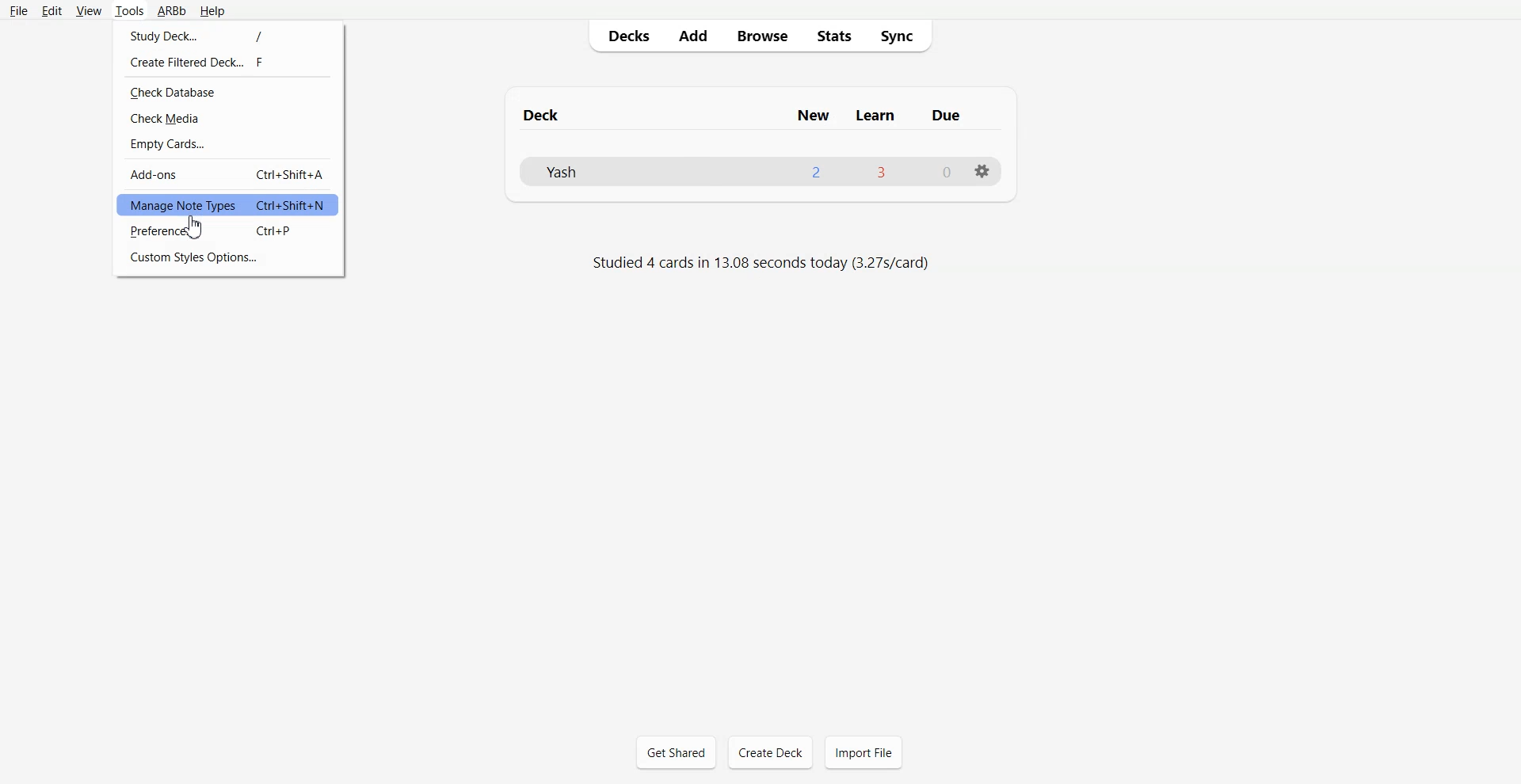  What do you see at coordinates (770, 752) in the screenshot?
I see `Create Deck` at bounding box center [770, 752].